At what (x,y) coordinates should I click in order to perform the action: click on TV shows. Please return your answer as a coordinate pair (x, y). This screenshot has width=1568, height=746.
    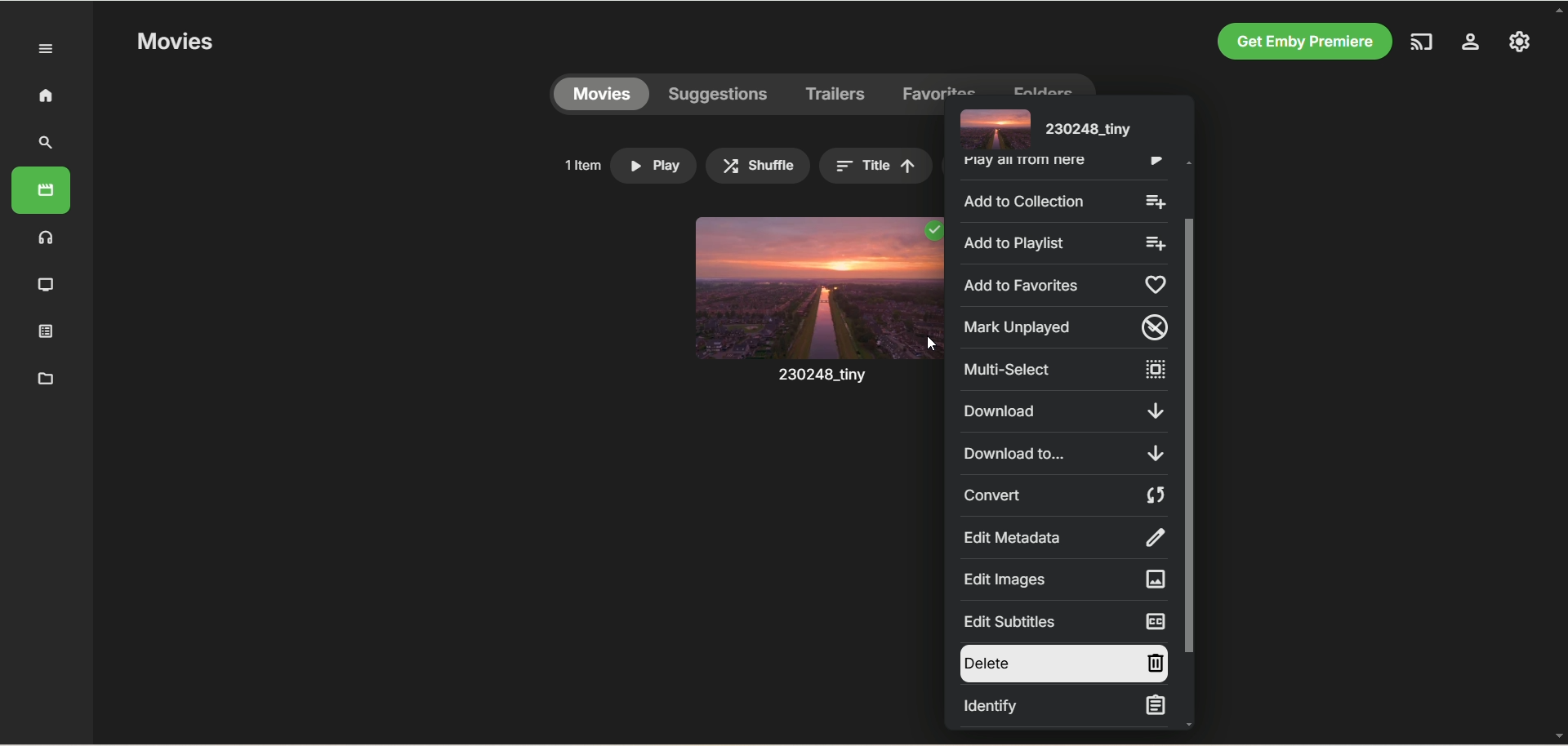
    Looking at the image, I should click on (47, 286).